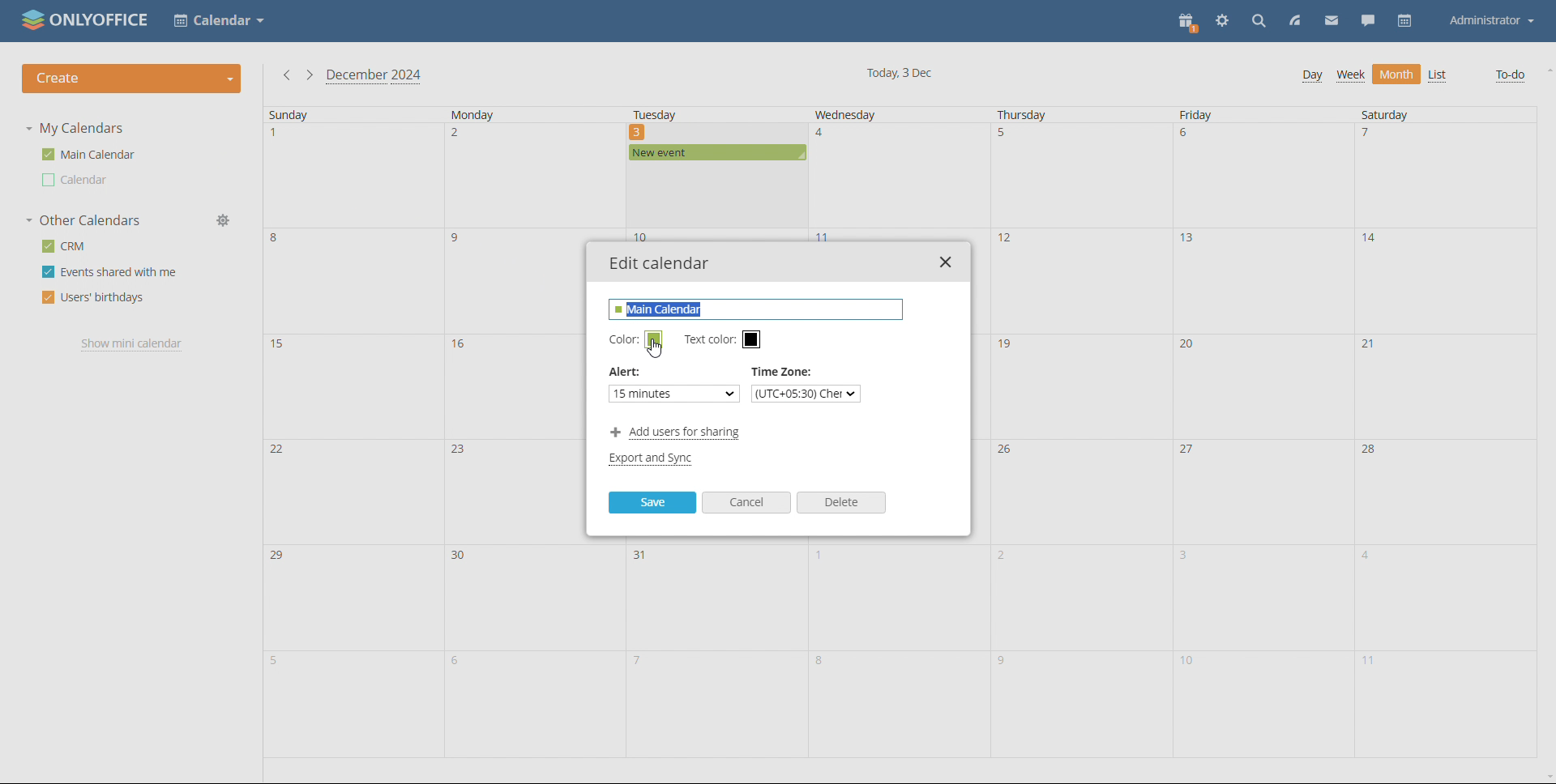 This screenshot has height=784, width=1556. Describe the element at coordinates (1223, 21) in the screenshot. I see `settings` at that location.